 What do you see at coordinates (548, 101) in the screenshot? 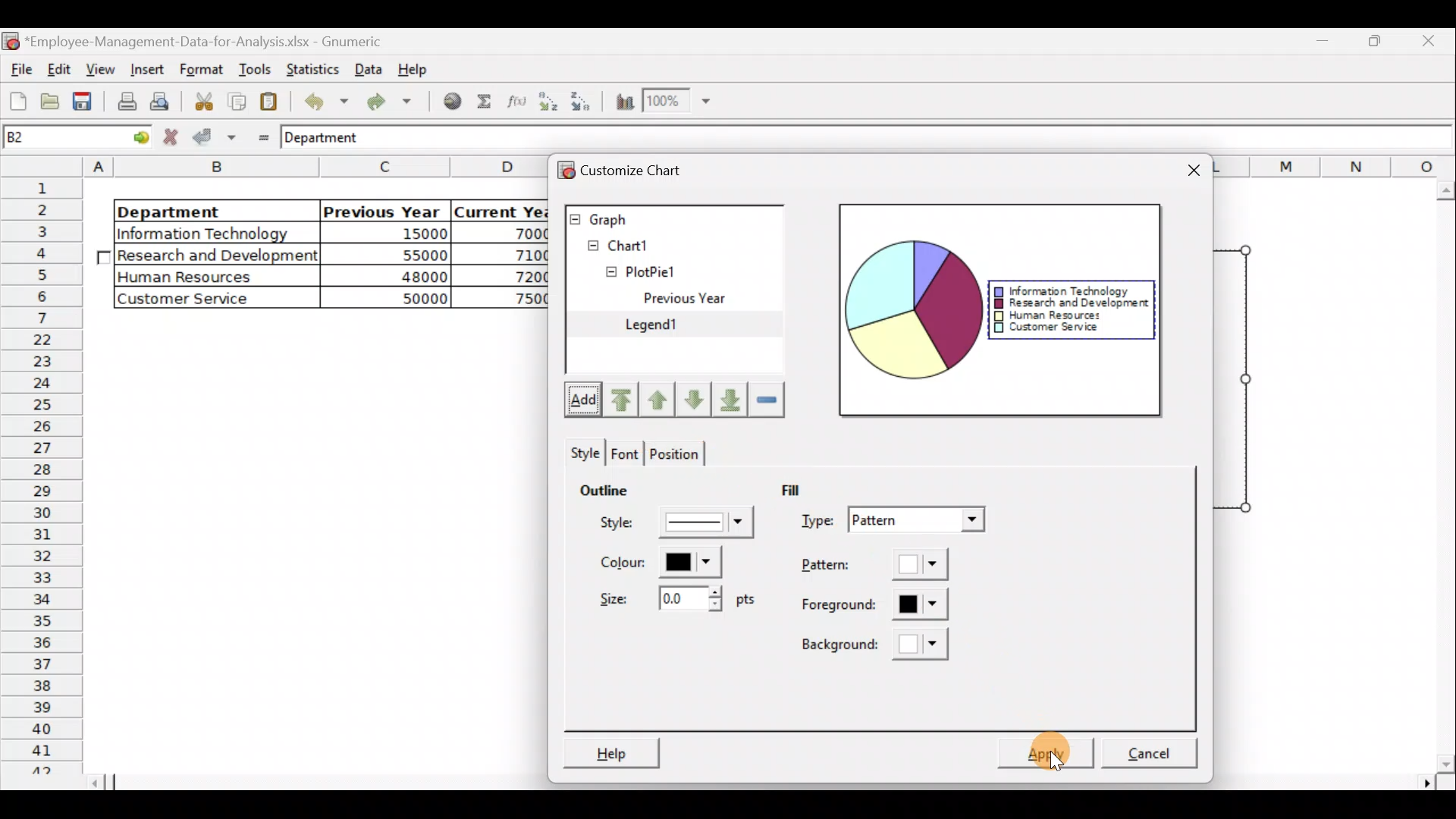
I see `Sort in Ascending order` at bounding box center [548, 101].